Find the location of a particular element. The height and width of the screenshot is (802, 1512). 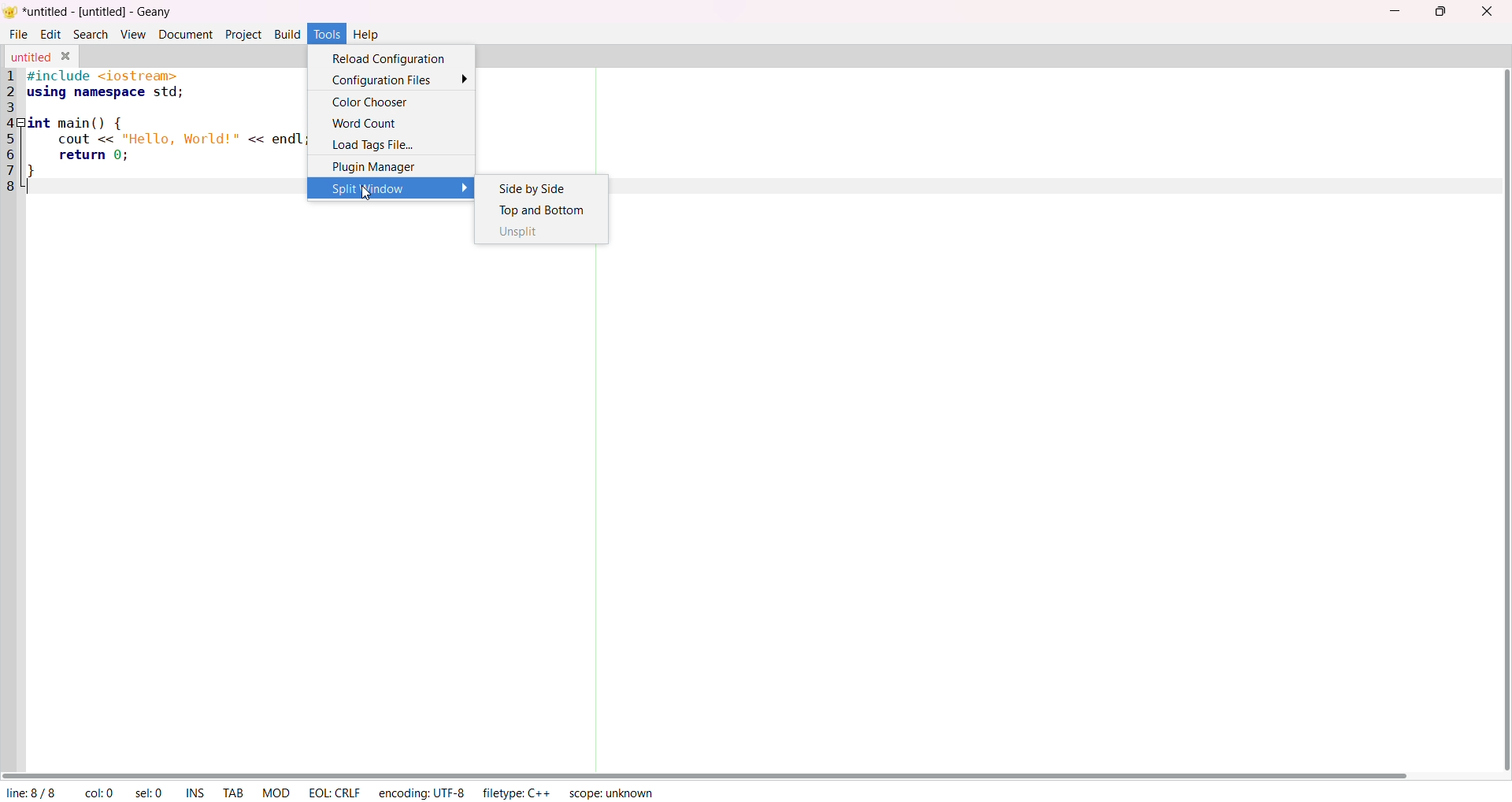

EOL: CRLF is located at coordinates (332, 793).